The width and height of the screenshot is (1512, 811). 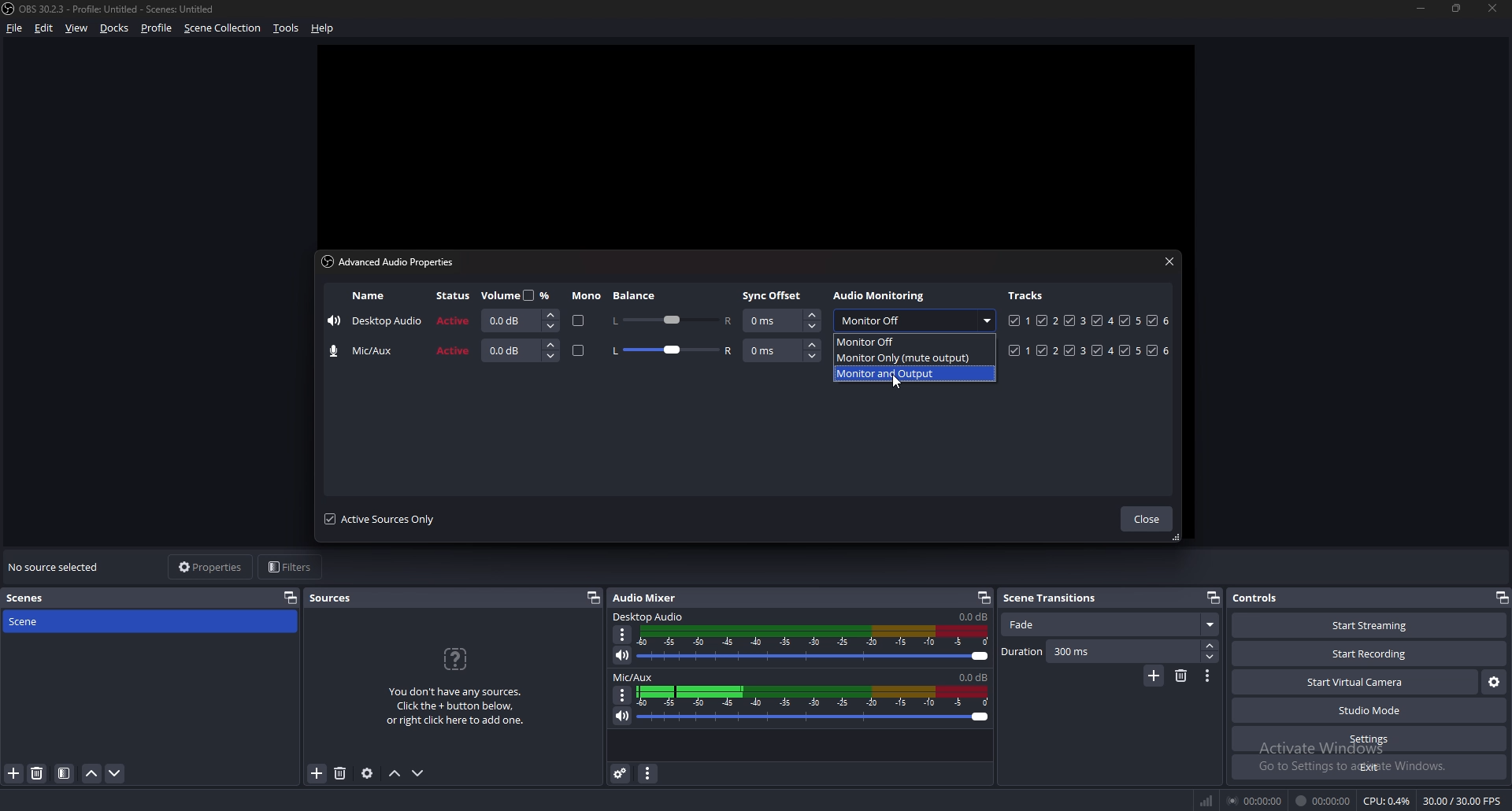 What do you see at coordinates (1209, 798) in the screenshot?
I see `network` at bounding box center [1209, 798].